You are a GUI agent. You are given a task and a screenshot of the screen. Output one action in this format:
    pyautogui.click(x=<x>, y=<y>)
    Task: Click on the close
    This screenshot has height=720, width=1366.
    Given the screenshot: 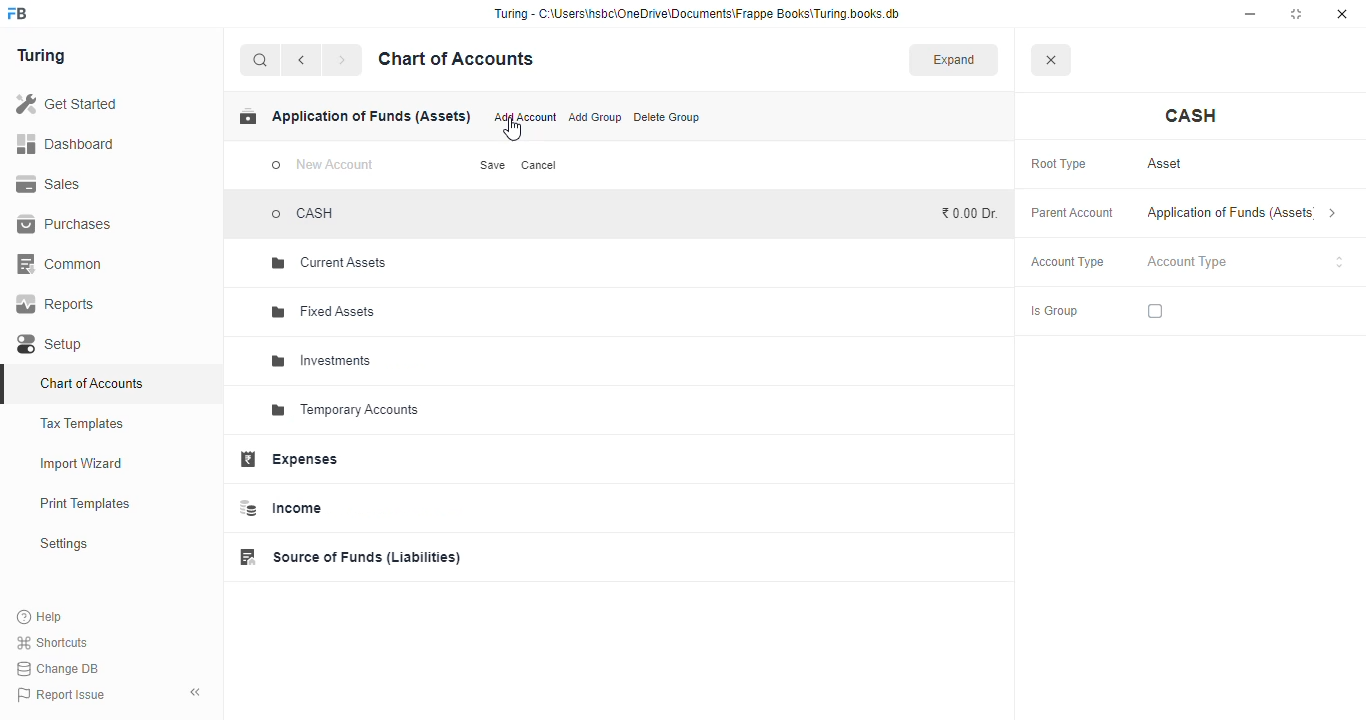 What is the action you would take?
    pyautogui.click(x=1050, y=59)
    